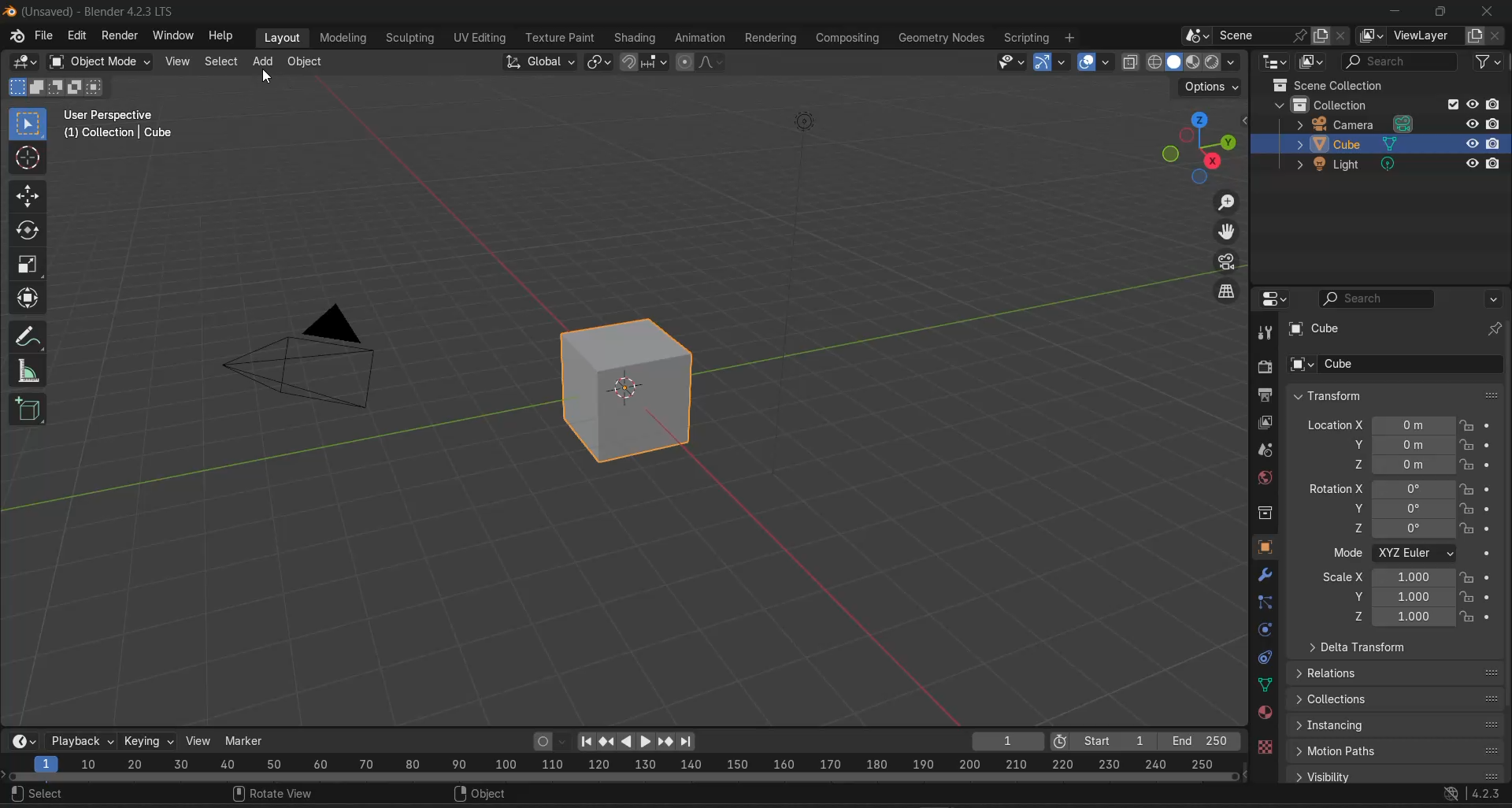 The height and width of the screenshot is (808, 1512). I want to click on snap, so click(631, 63).